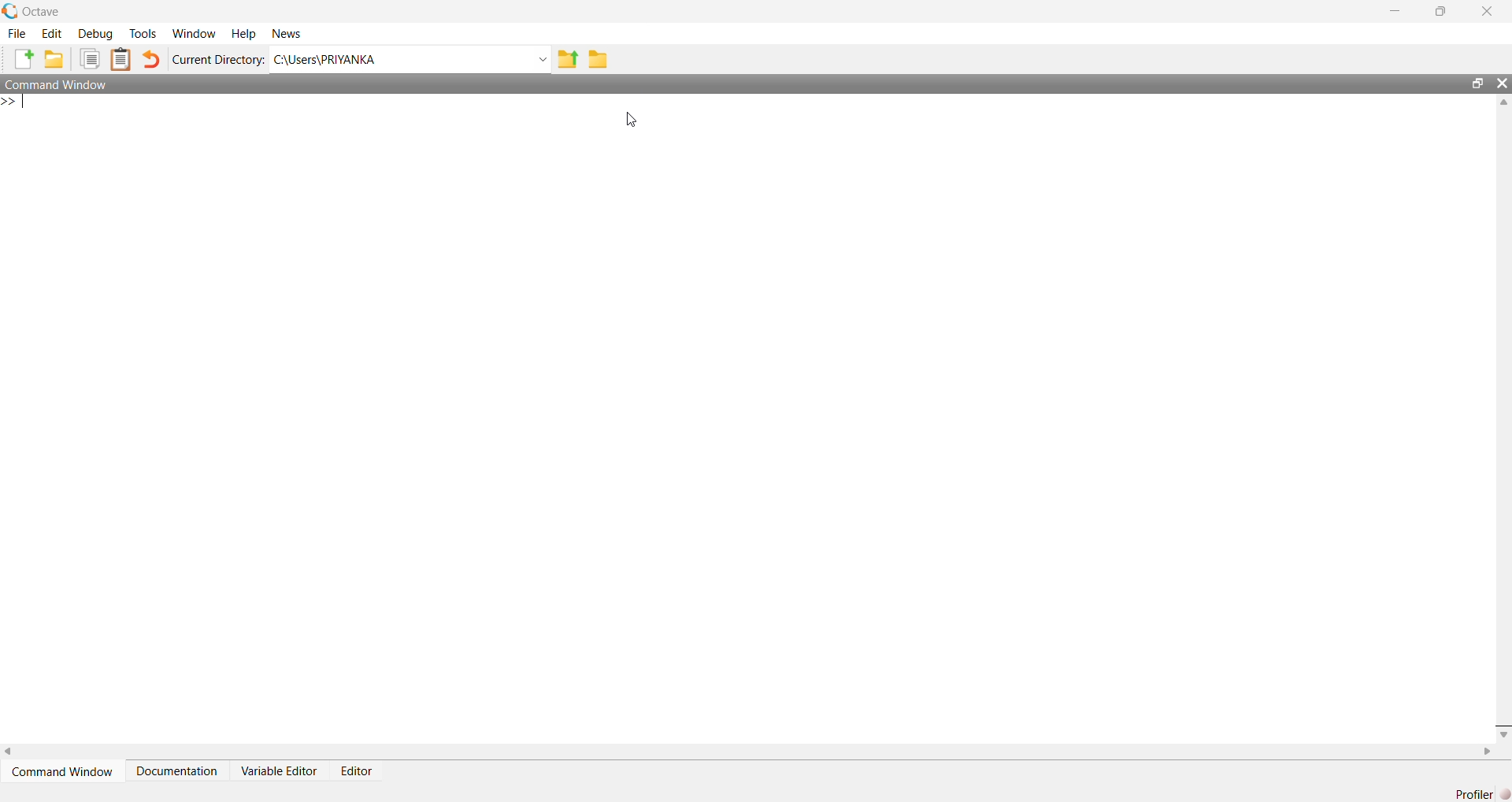 This screenshot has width=1512, height=802. What do you see at coordinates (22, 58) in the screenshot?
I see `Create a new file` at bounding box center [22, 58].